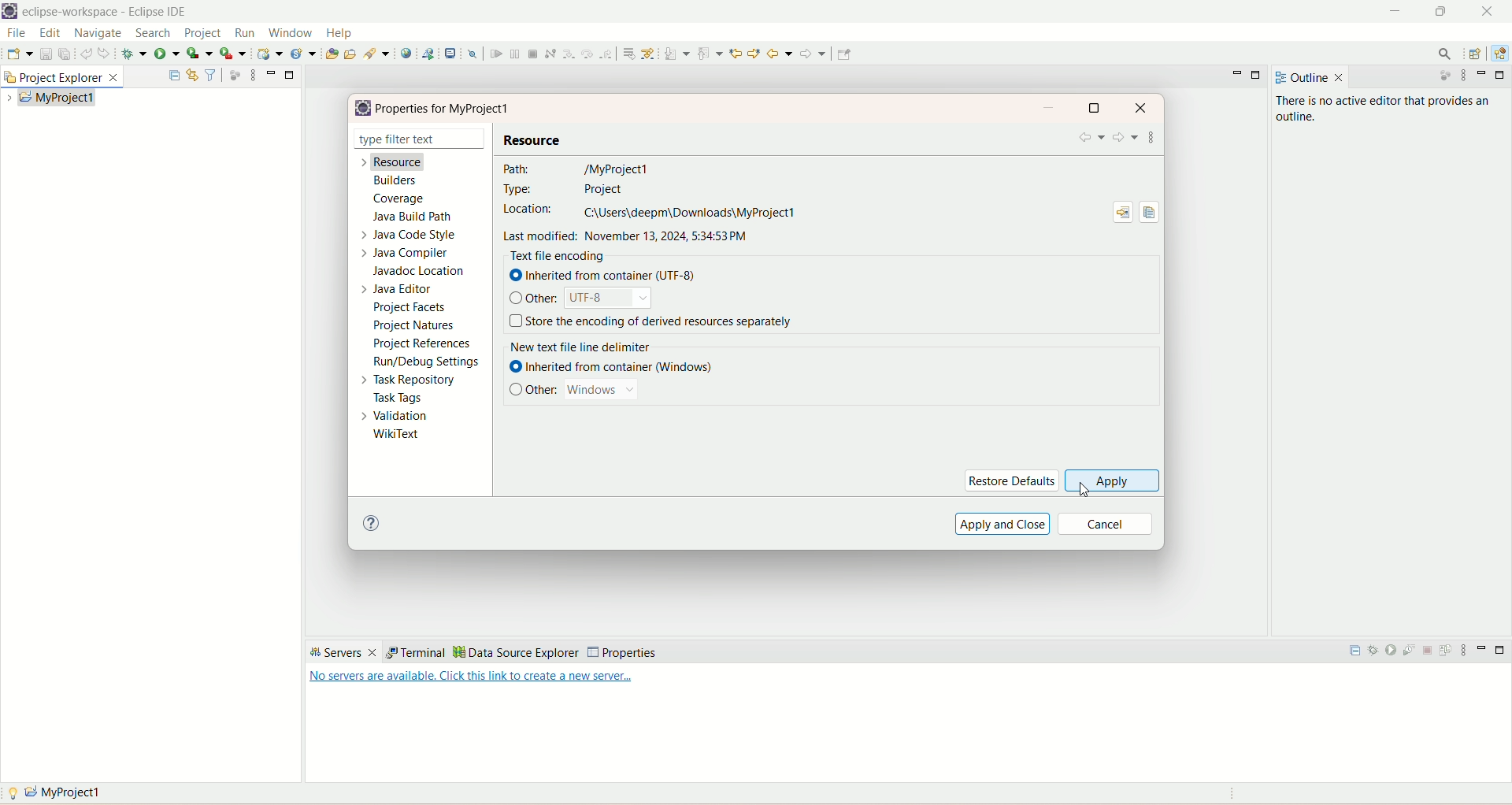 Image resolution: width=1512 pixels, height=805 pixels. I want to click on save all, so click(65, 55).